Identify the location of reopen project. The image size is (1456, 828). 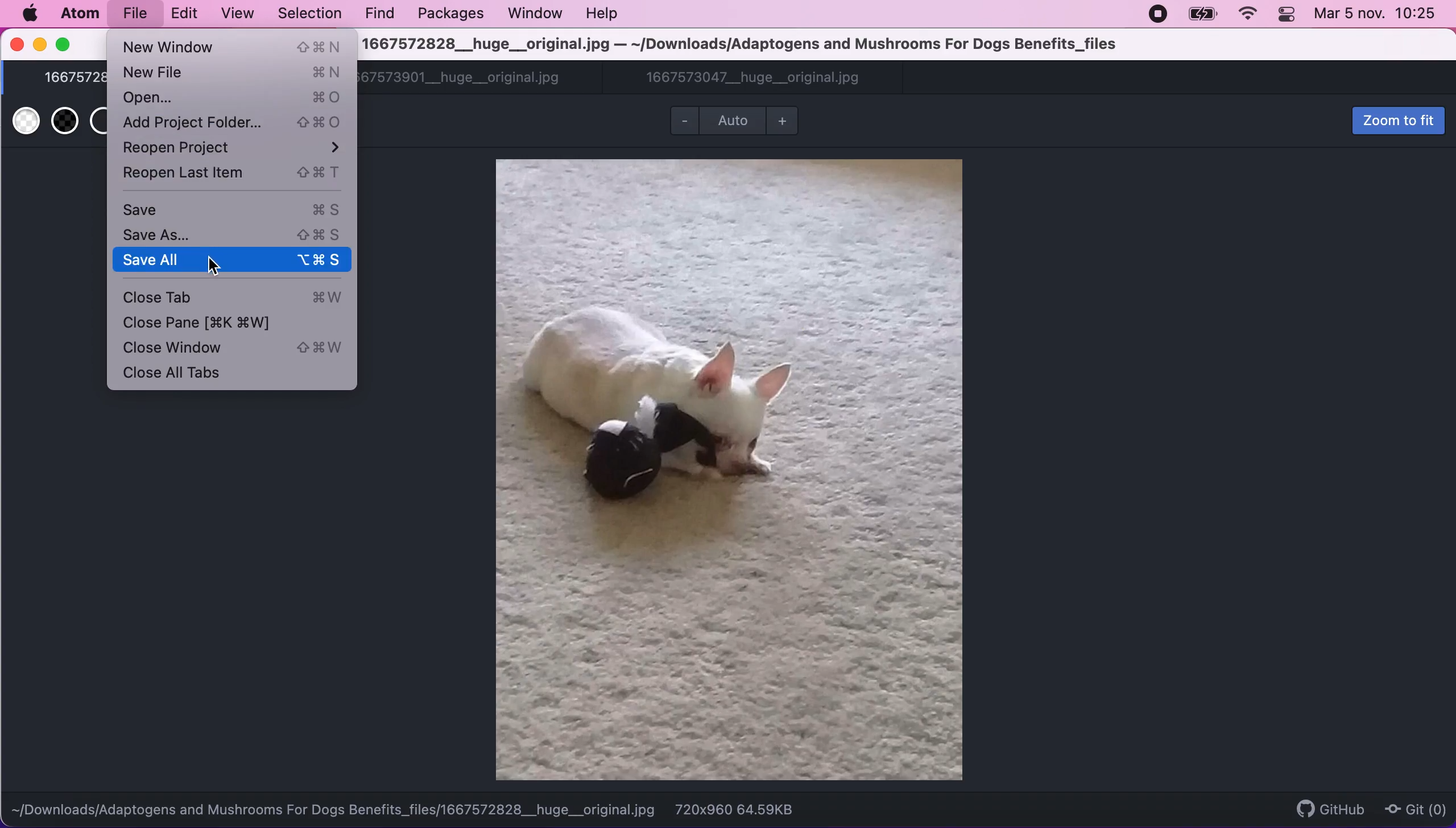
(232, 150).